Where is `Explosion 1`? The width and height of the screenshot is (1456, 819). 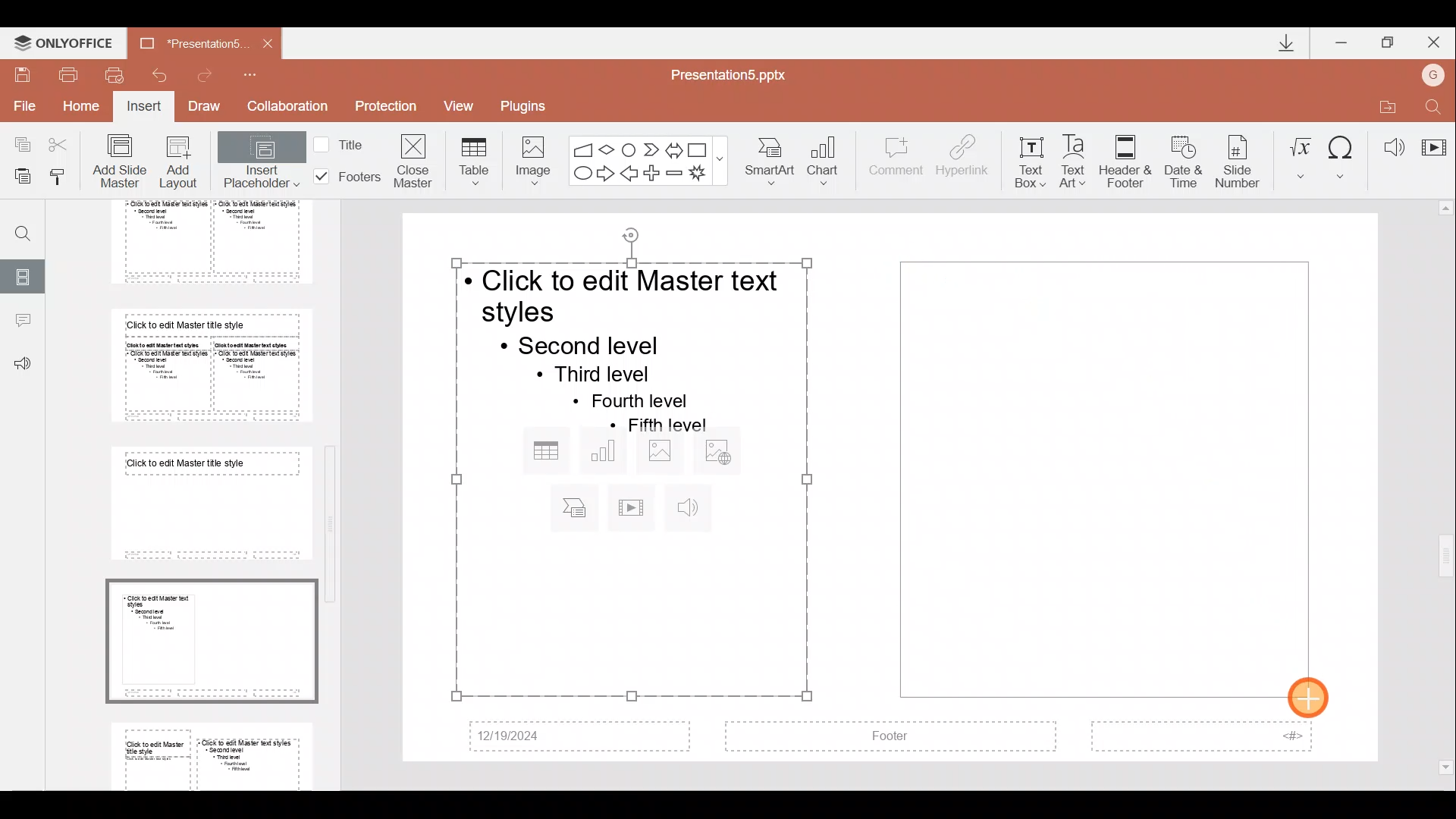
Explosion 1 is located at coordinates (704, 174).